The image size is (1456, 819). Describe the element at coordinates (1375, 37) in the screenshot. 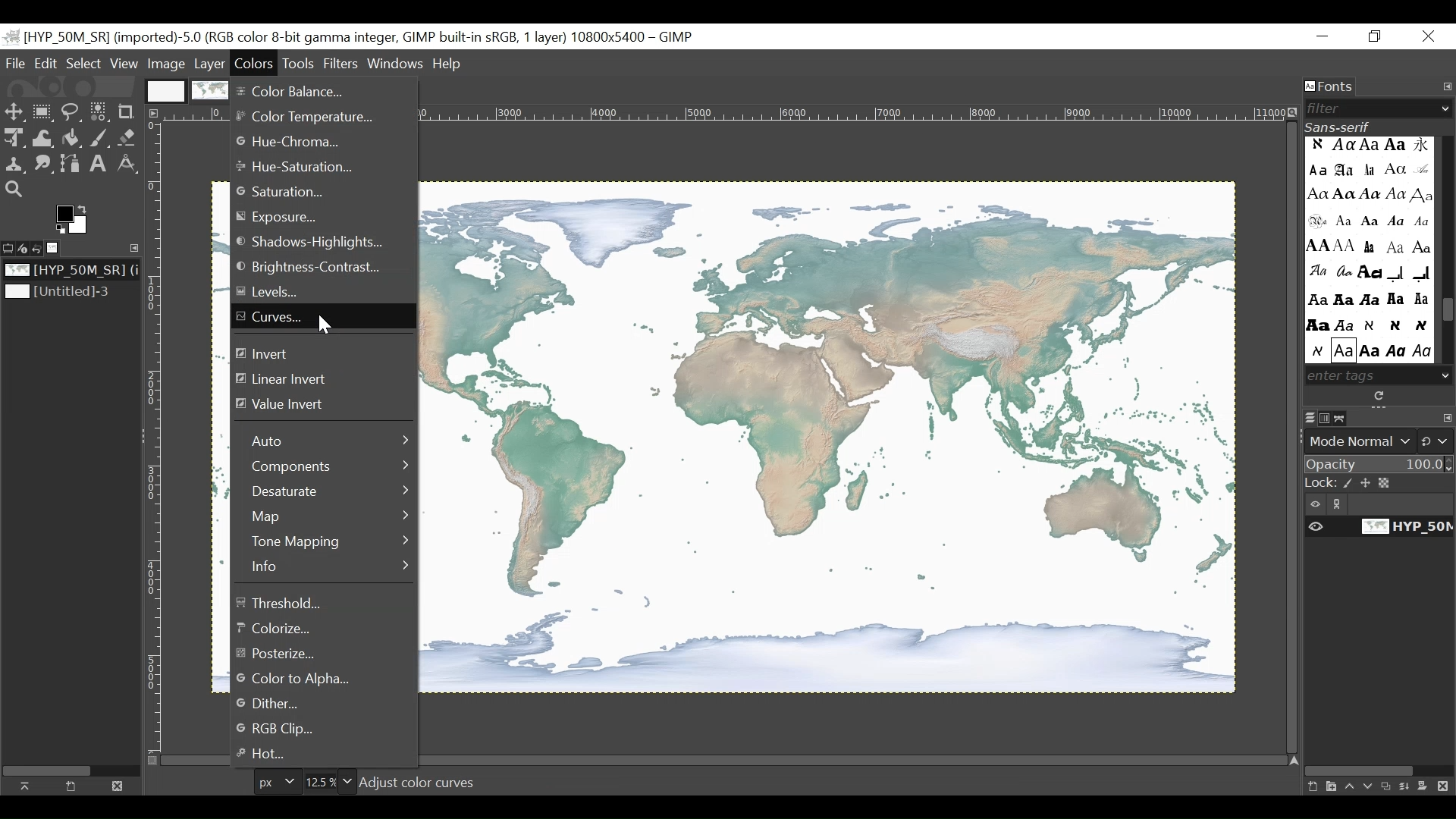

I see `Rsstore` at that location.